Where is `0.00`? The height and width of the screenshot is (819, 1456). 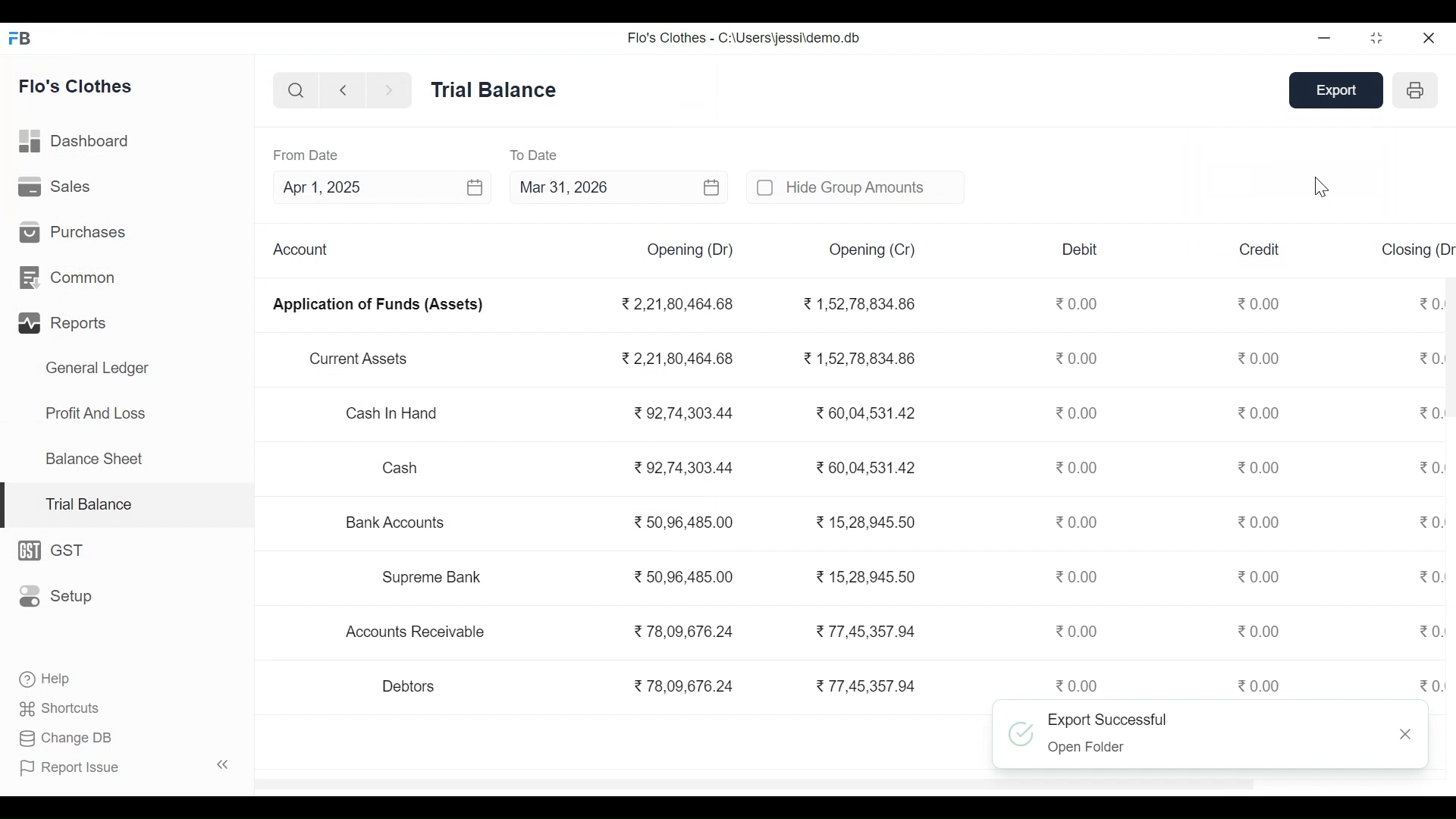 0.00 is located at coordinates (1259, 576).